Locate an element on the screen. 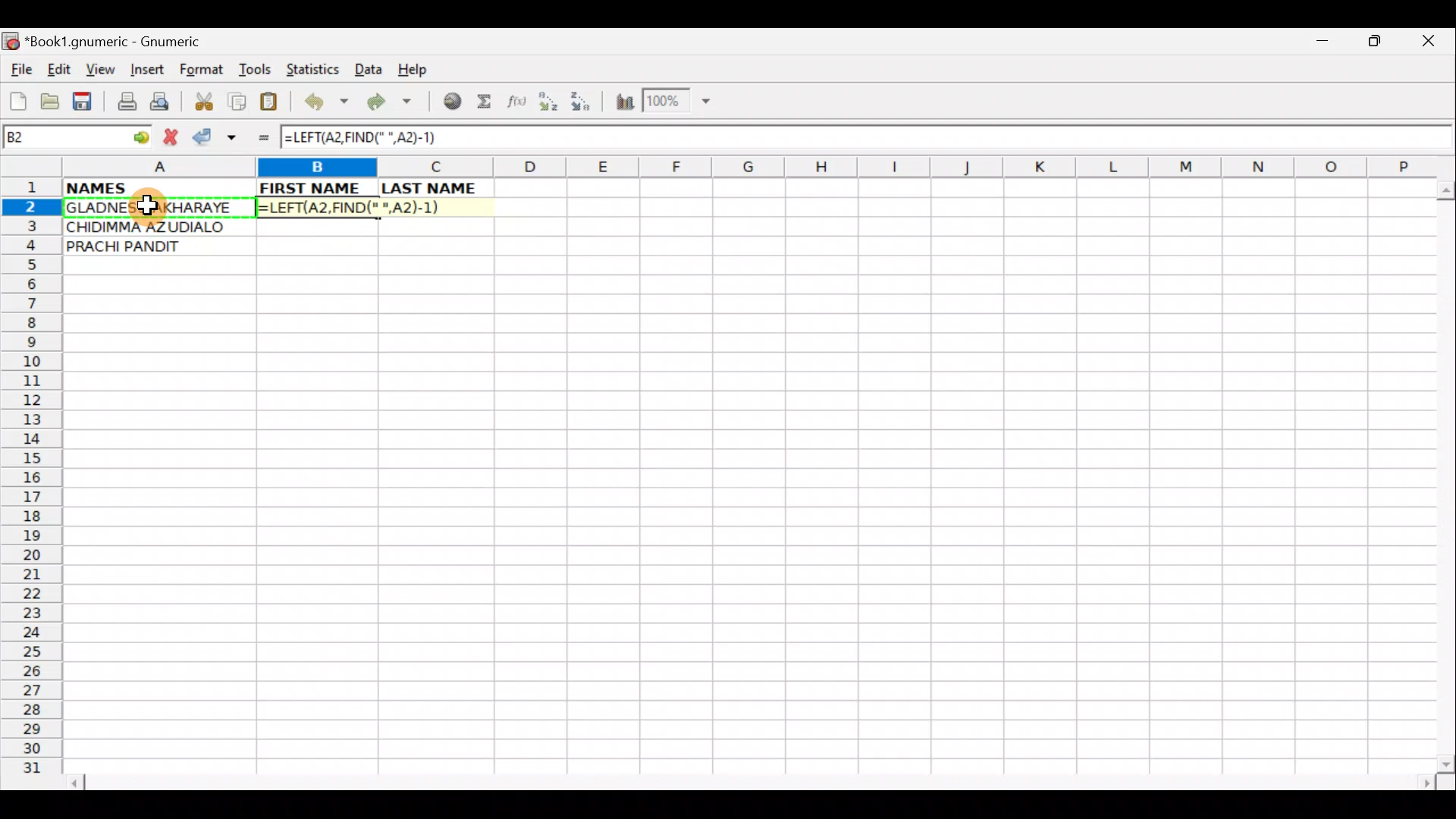 The image size is (1456, 819). Formula bar is located at coordinates (946, 138).